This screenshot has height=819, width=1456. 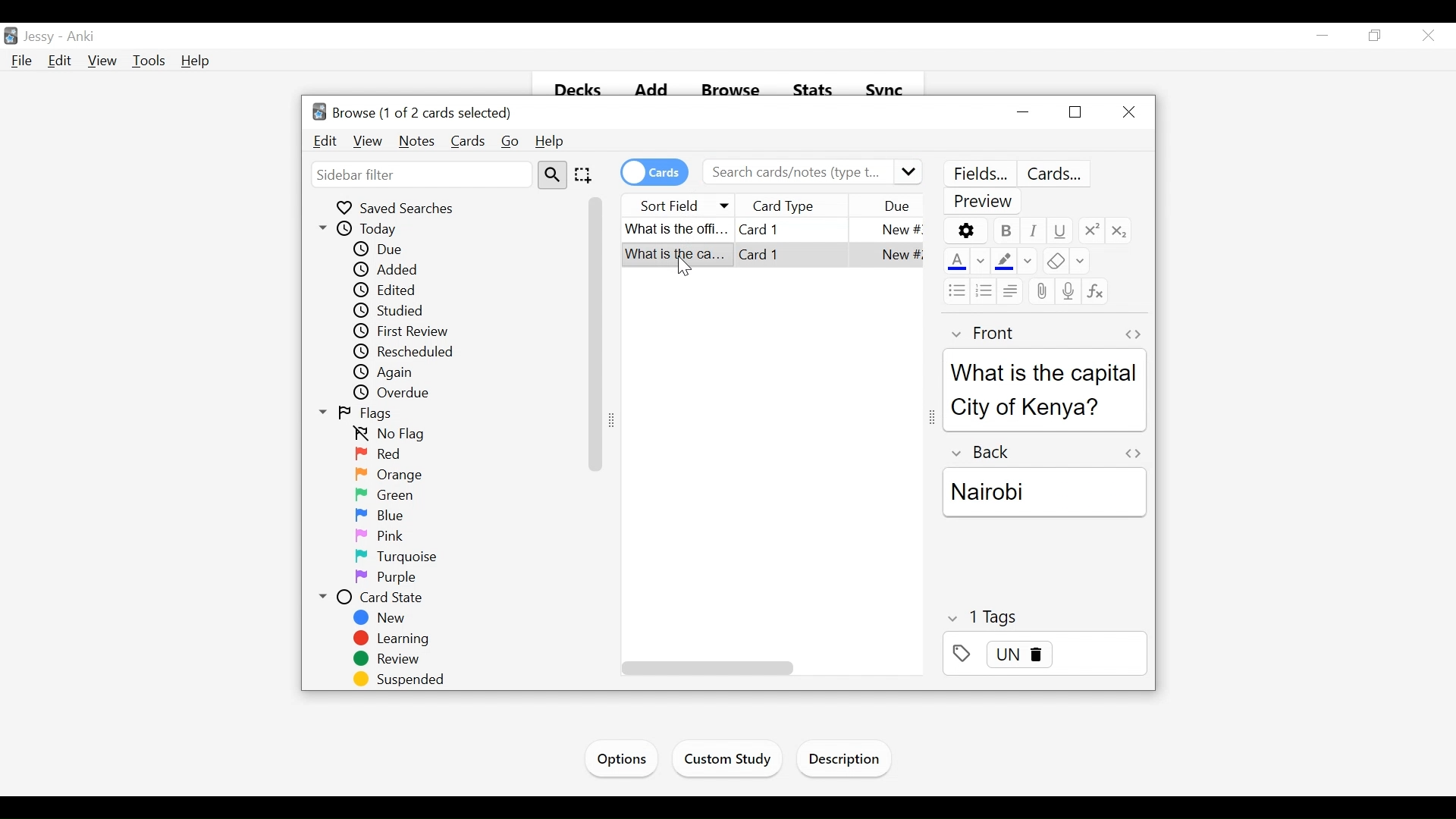 I want to click on Edited, so click(x=391, y=290).